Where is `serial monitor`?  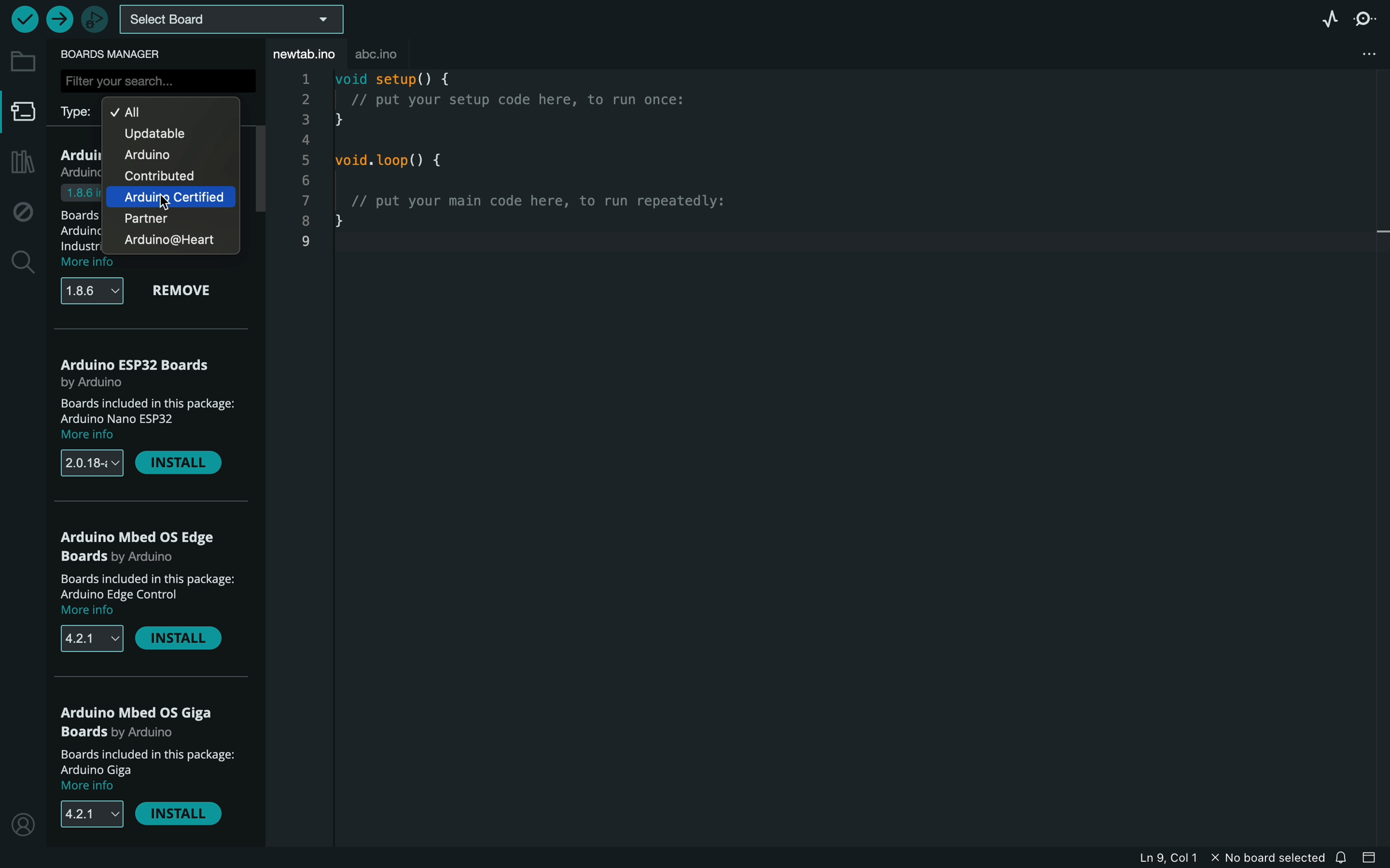
serial monitor is located at coordinates (1364, 19).